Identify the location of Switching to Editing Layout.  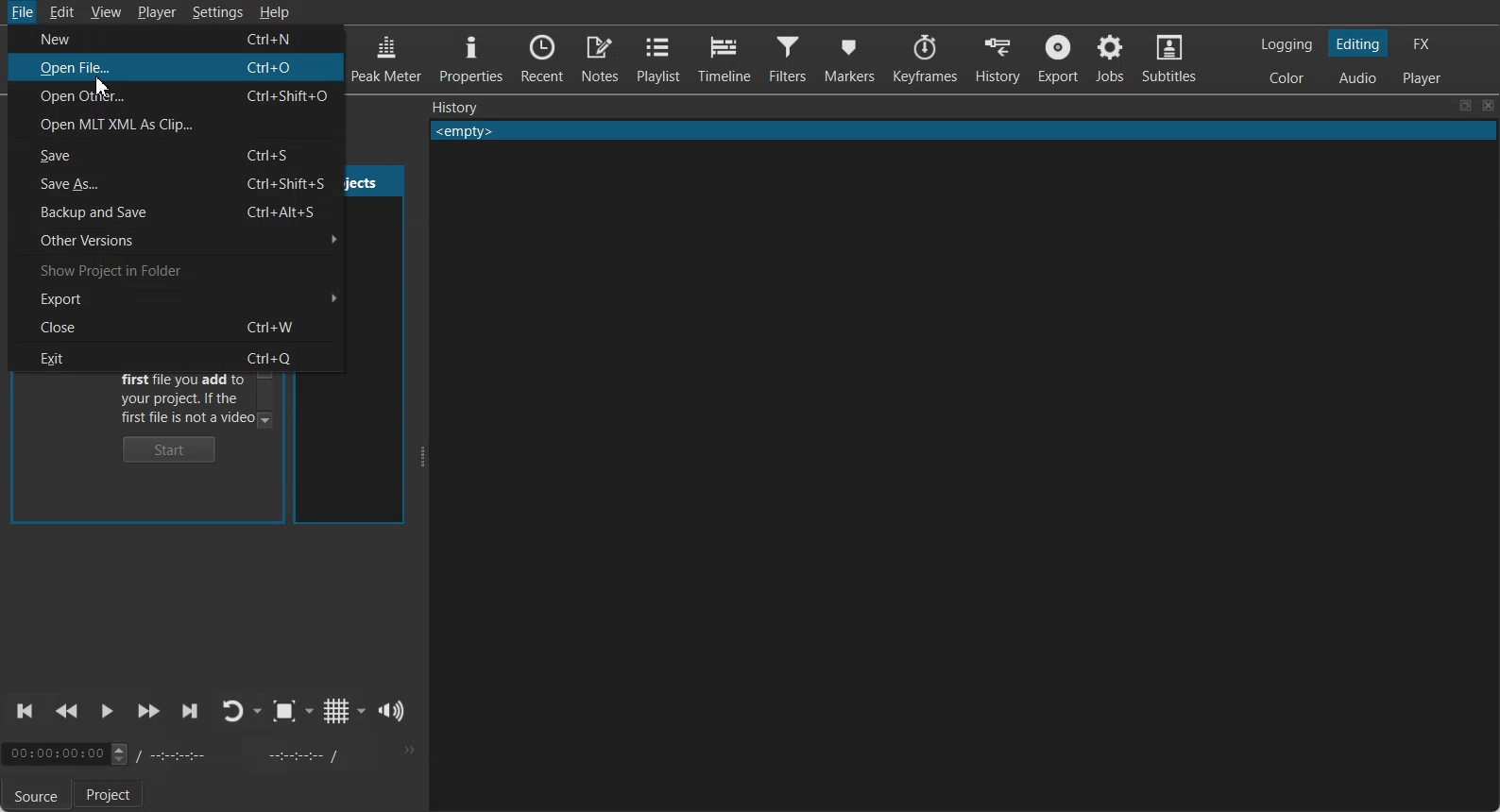
(1356, 43).